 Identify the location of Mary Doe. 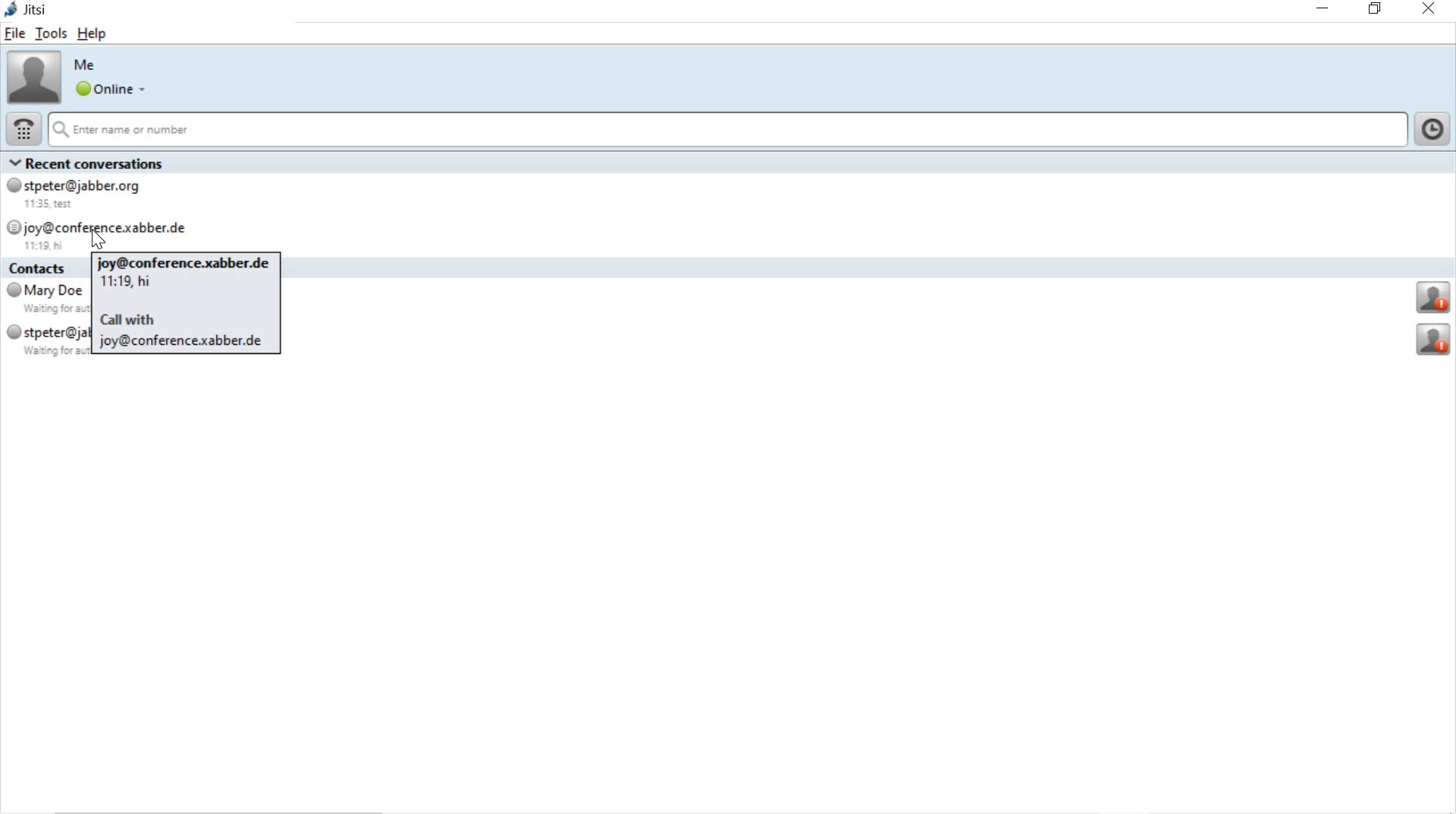
(46, 293).